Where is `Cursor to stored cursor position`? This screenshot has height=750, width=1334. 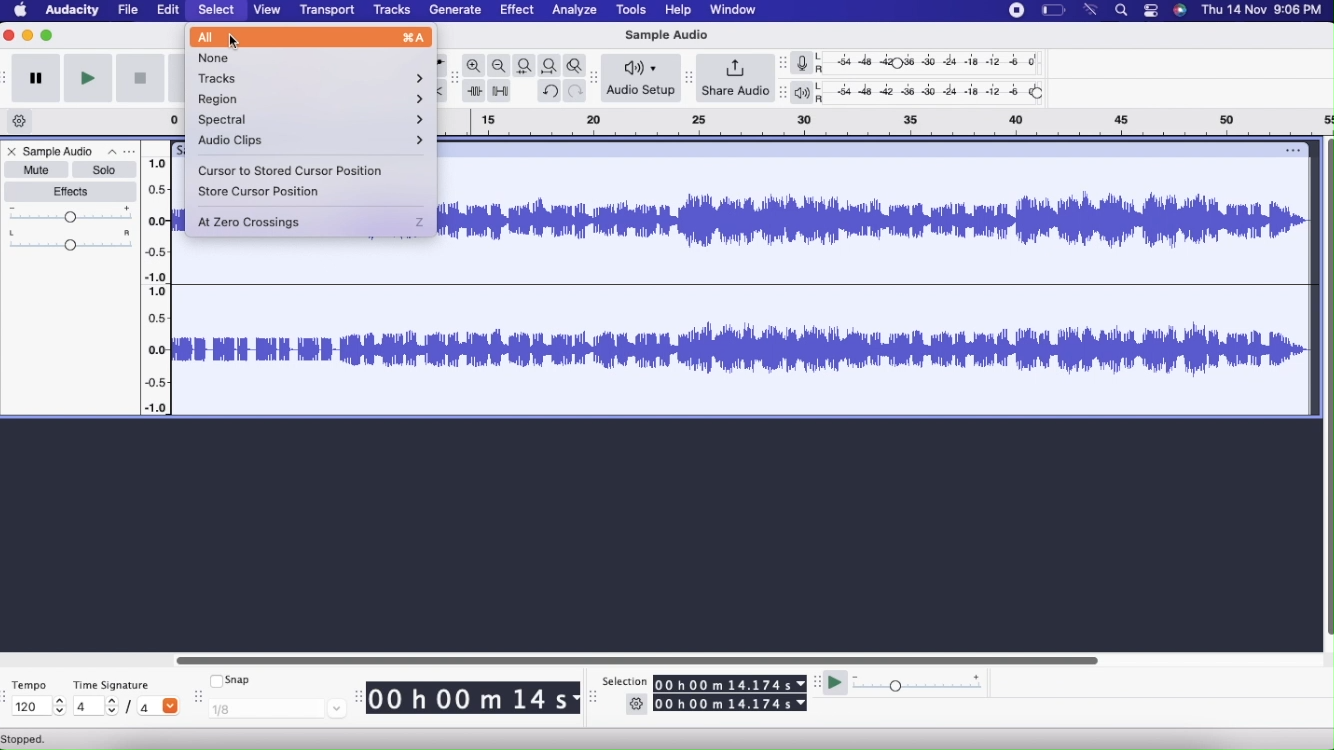 Cursor to stored cursor position is located at coordinates (293, 171).